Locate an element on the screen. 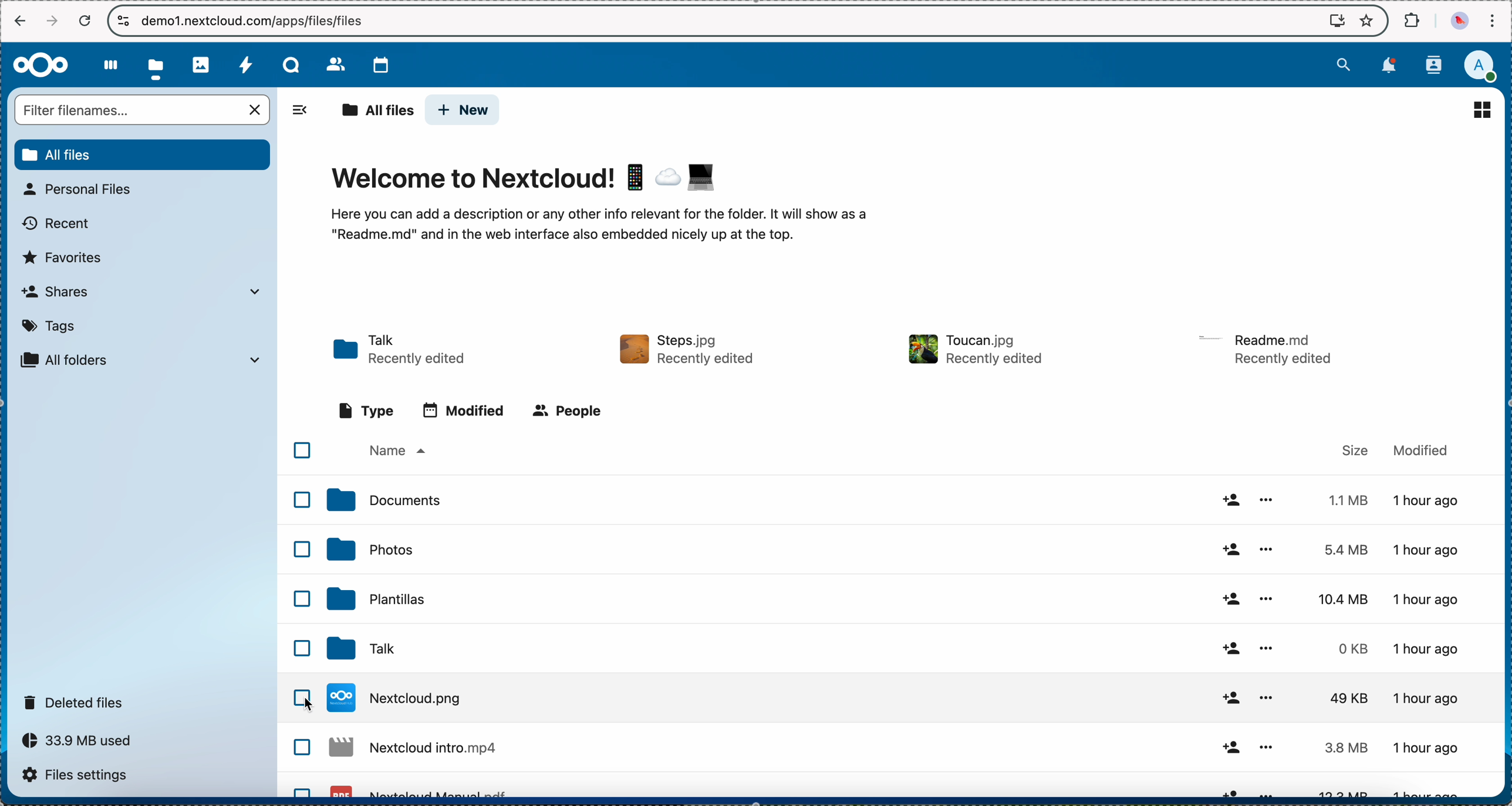 The width and height of the screenshot is (1512, 806). contacts is located at coordinates (1437, 64).